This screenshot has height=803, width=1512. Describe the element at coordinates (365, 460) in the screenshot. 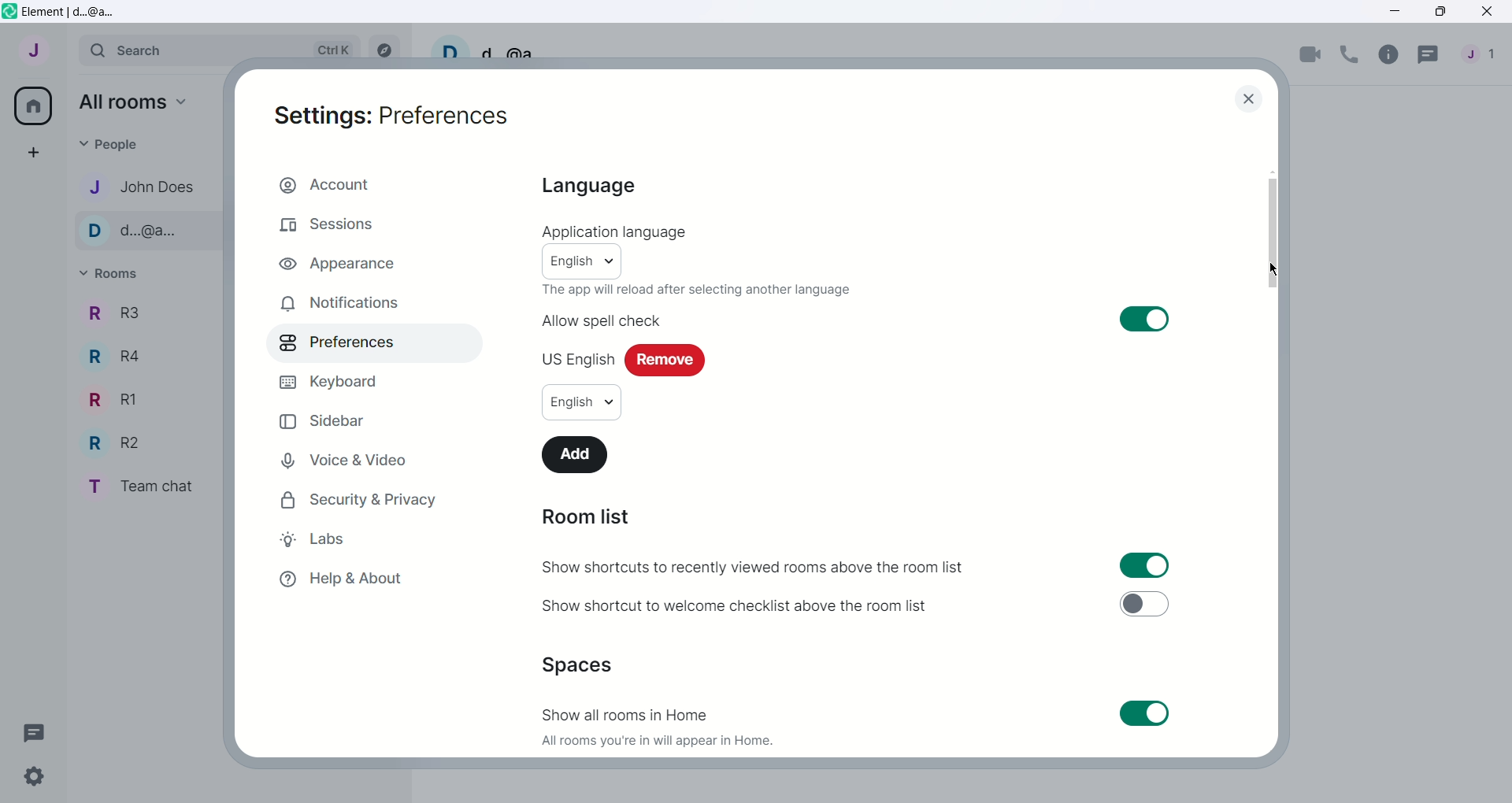

I see `Voice and Video` at that location.